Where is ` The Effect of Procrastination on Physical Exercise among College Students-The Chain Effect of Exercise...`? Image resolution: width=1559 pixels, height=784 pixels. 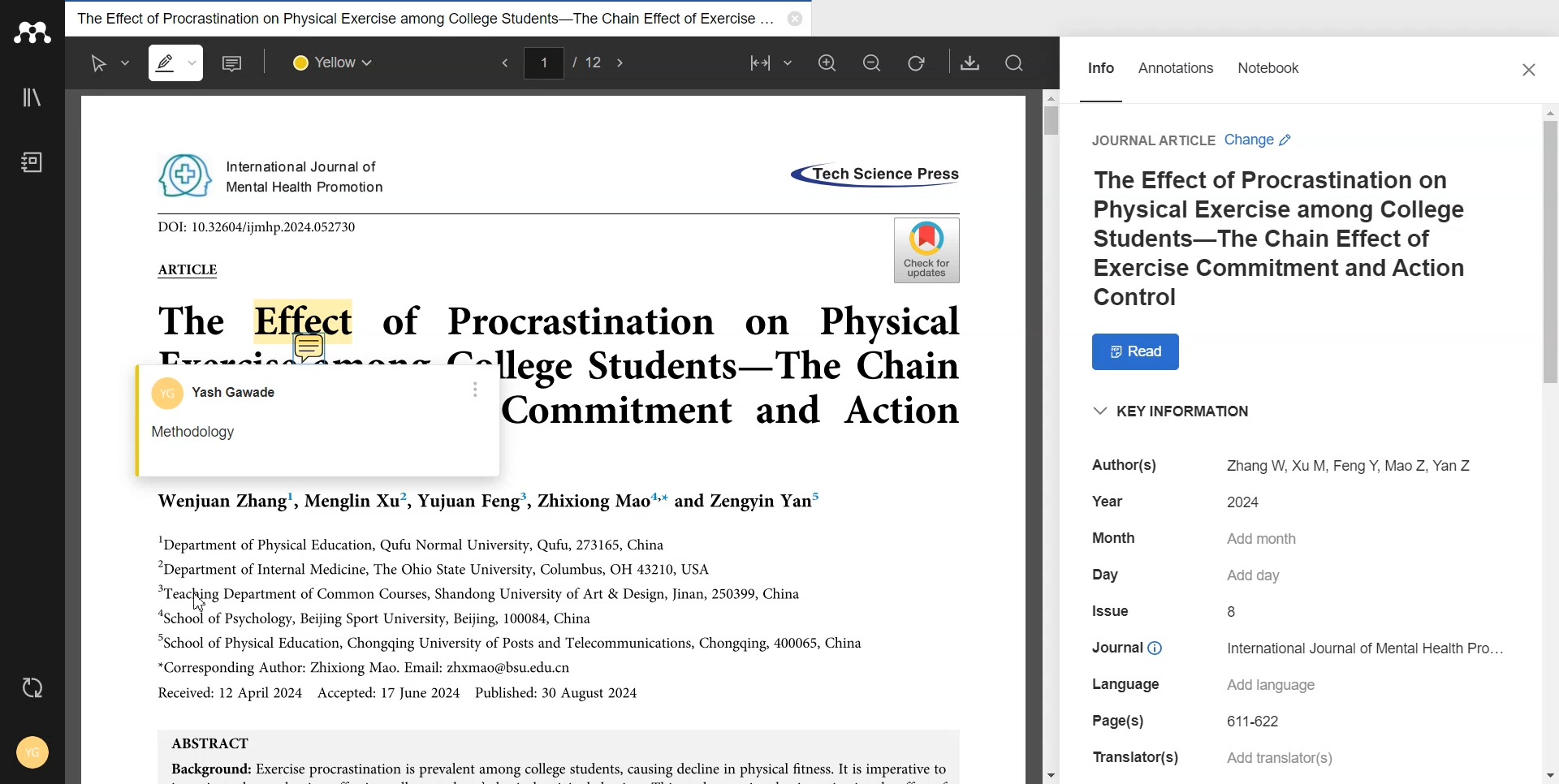  The Effect of Procrastination on Physical Exercise among College Students-The Chain Effect of Exercise... is located at coordinates (424, 15).